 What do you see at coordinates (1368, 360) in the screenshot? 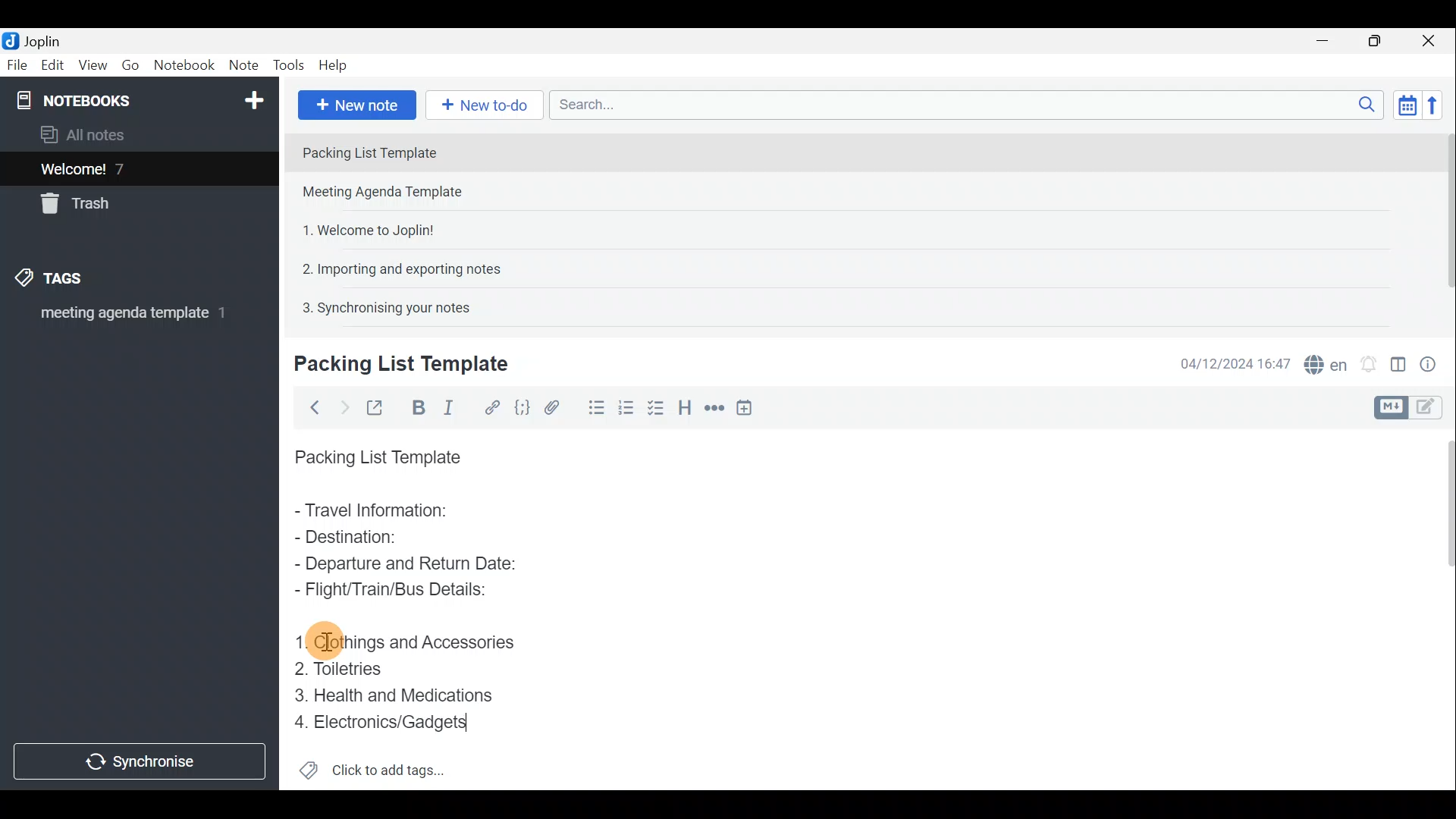
I see `Set alarm` at bounding box center [1368, 360].